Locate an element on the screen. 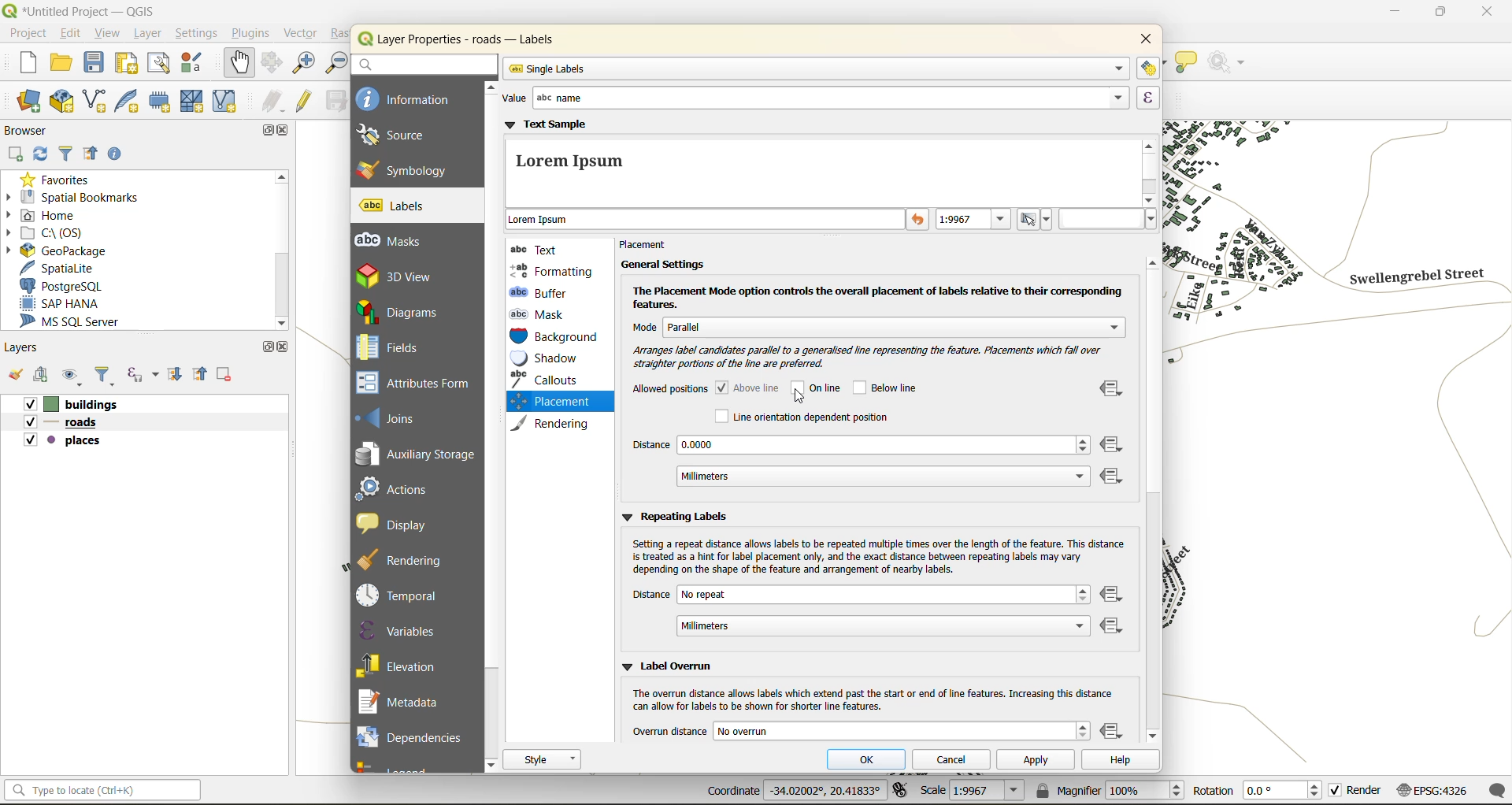  background is located at coordinates (555, 338).